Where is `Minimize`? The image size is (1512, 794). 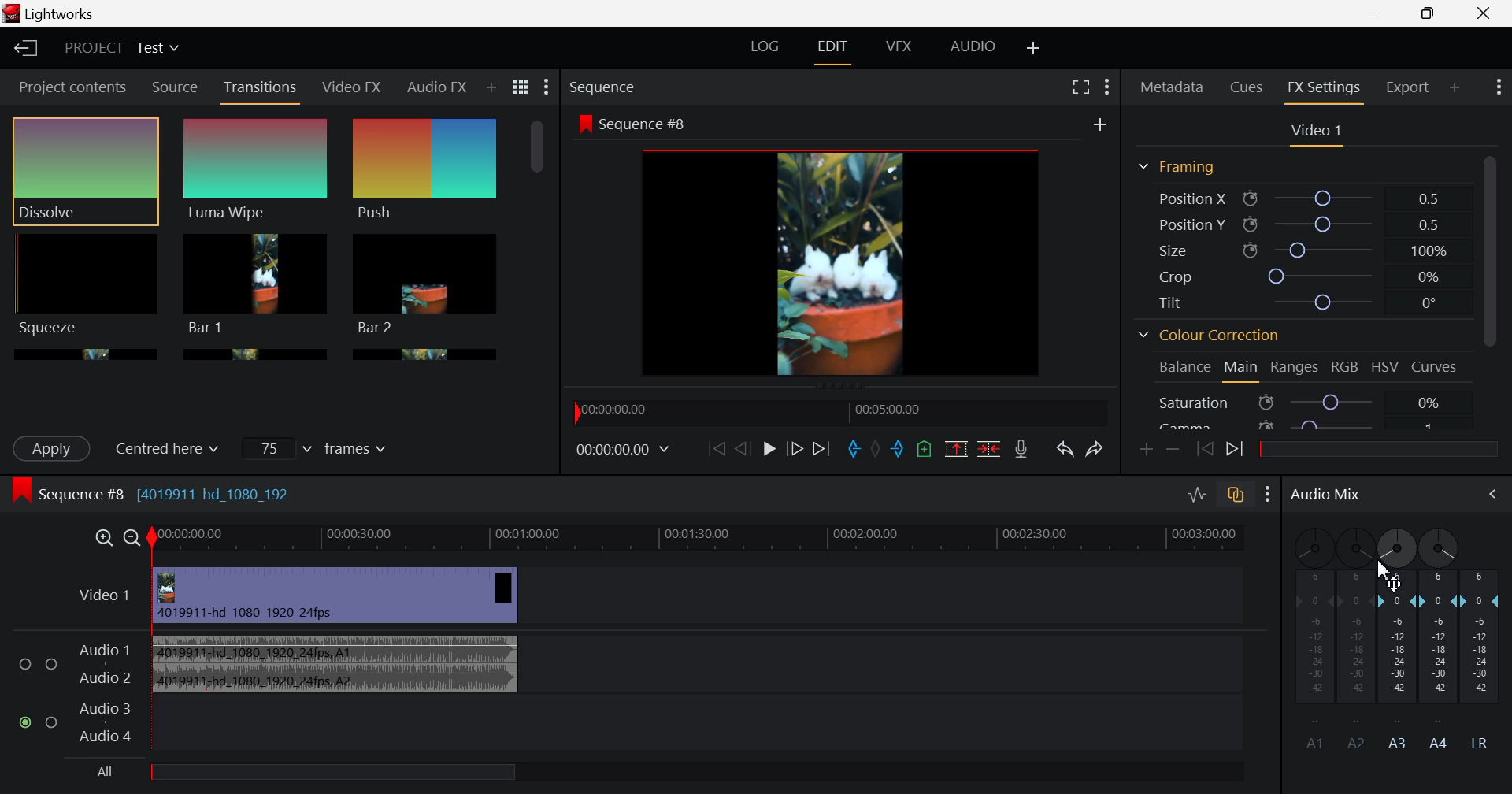
Minimize is located at coordinates (1432, 13).